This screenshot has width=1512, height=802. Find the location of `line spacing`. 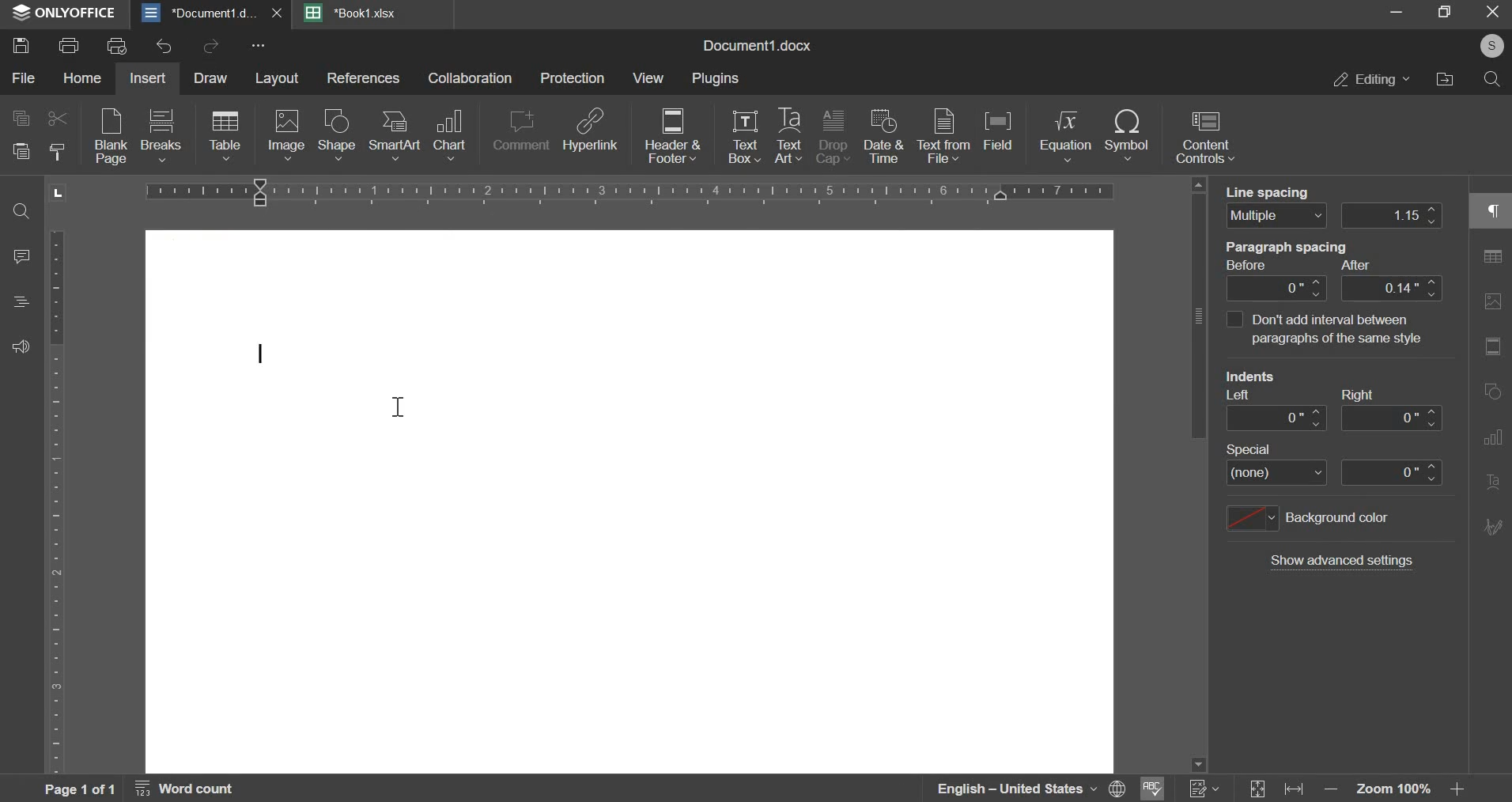

line spacing is located at coordinates (1276, 215).